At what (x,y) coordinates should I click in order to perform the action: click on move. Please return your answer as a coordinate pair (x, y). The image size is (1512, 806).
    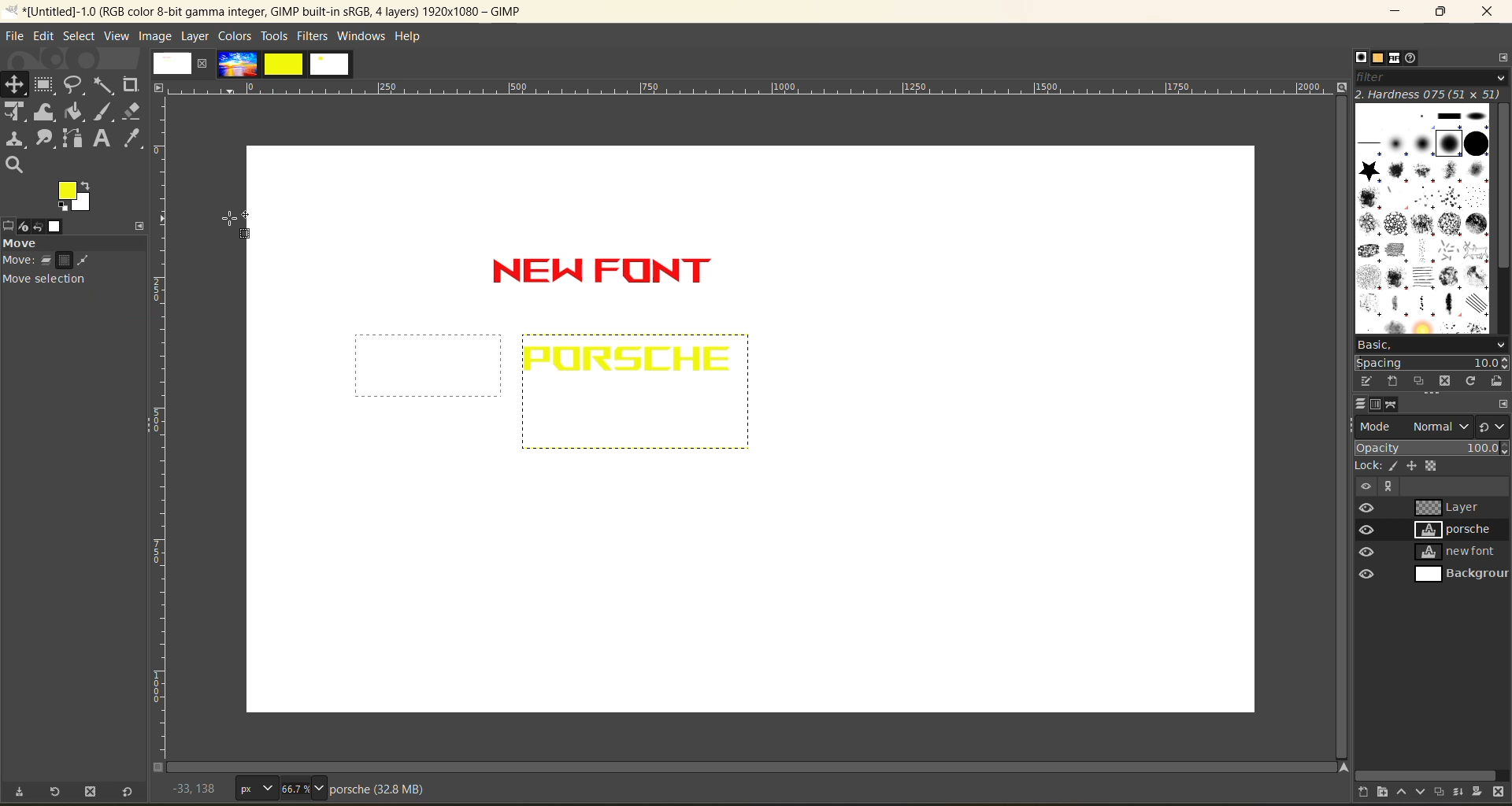
    Looking at the image, I should click on (71, 267).